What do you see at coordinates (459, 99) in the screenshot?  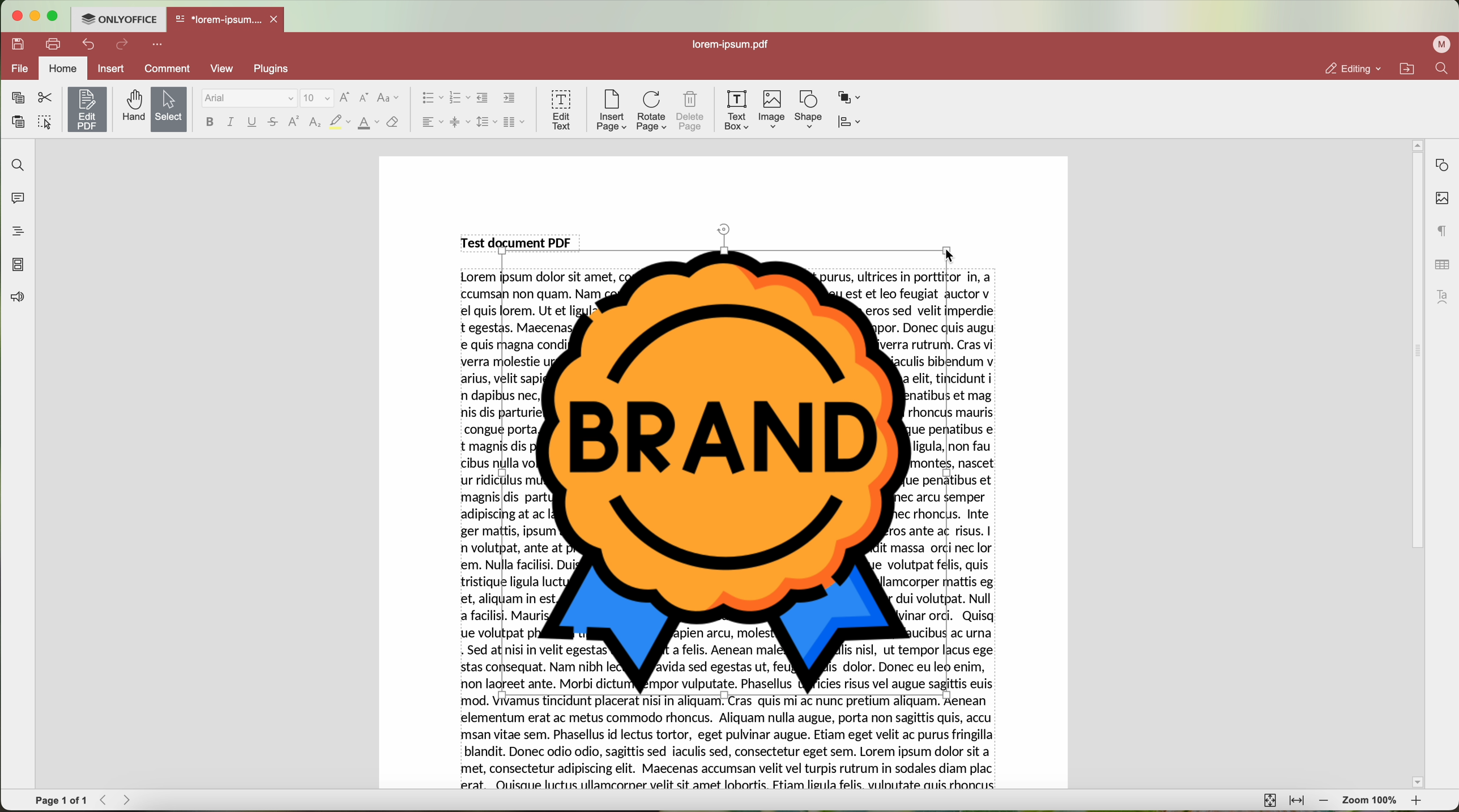 I see `numbering` at bounding box center [459, 99].